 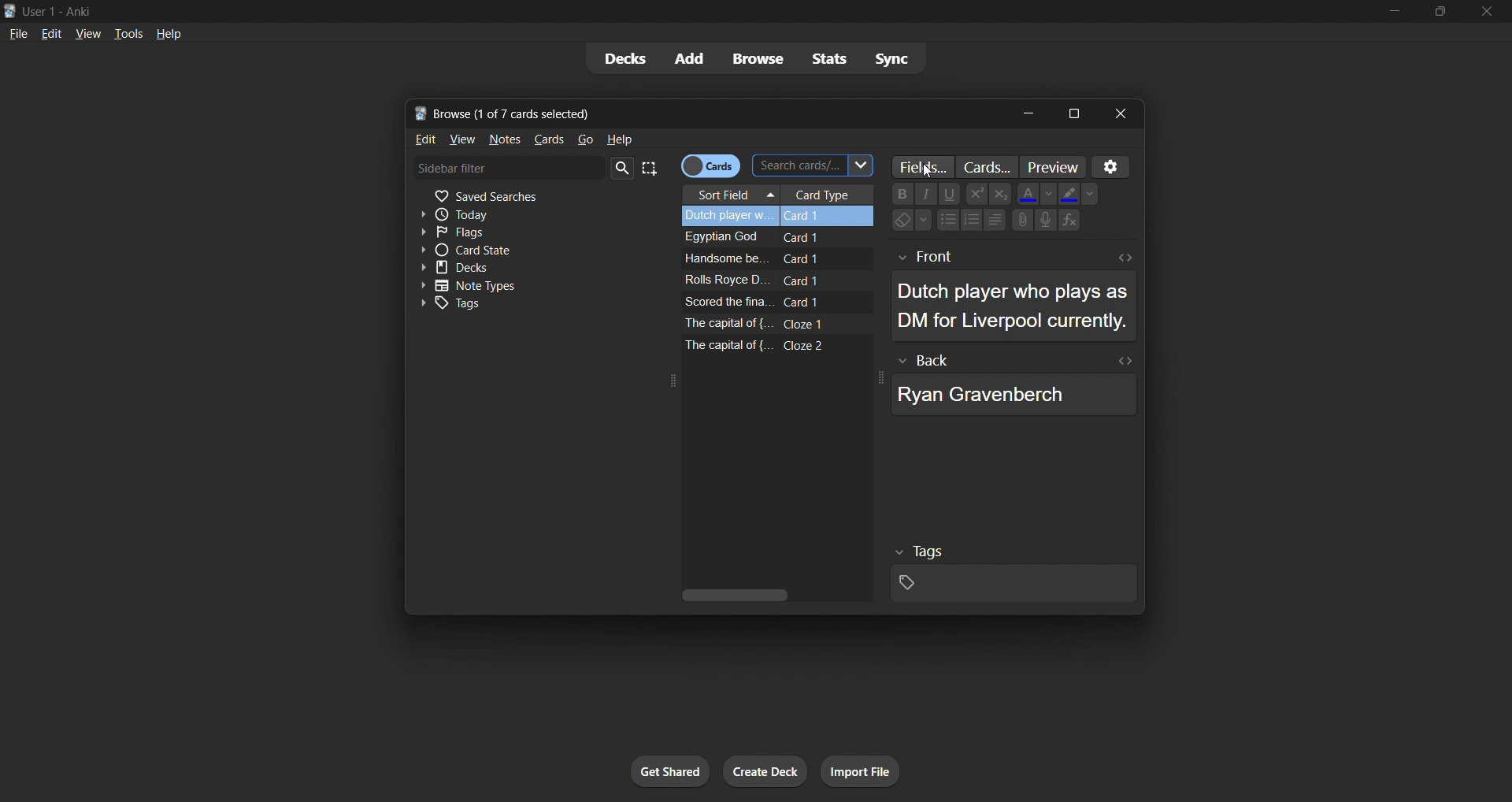 I want to click on tags toggle, so click(x=503, y=304).